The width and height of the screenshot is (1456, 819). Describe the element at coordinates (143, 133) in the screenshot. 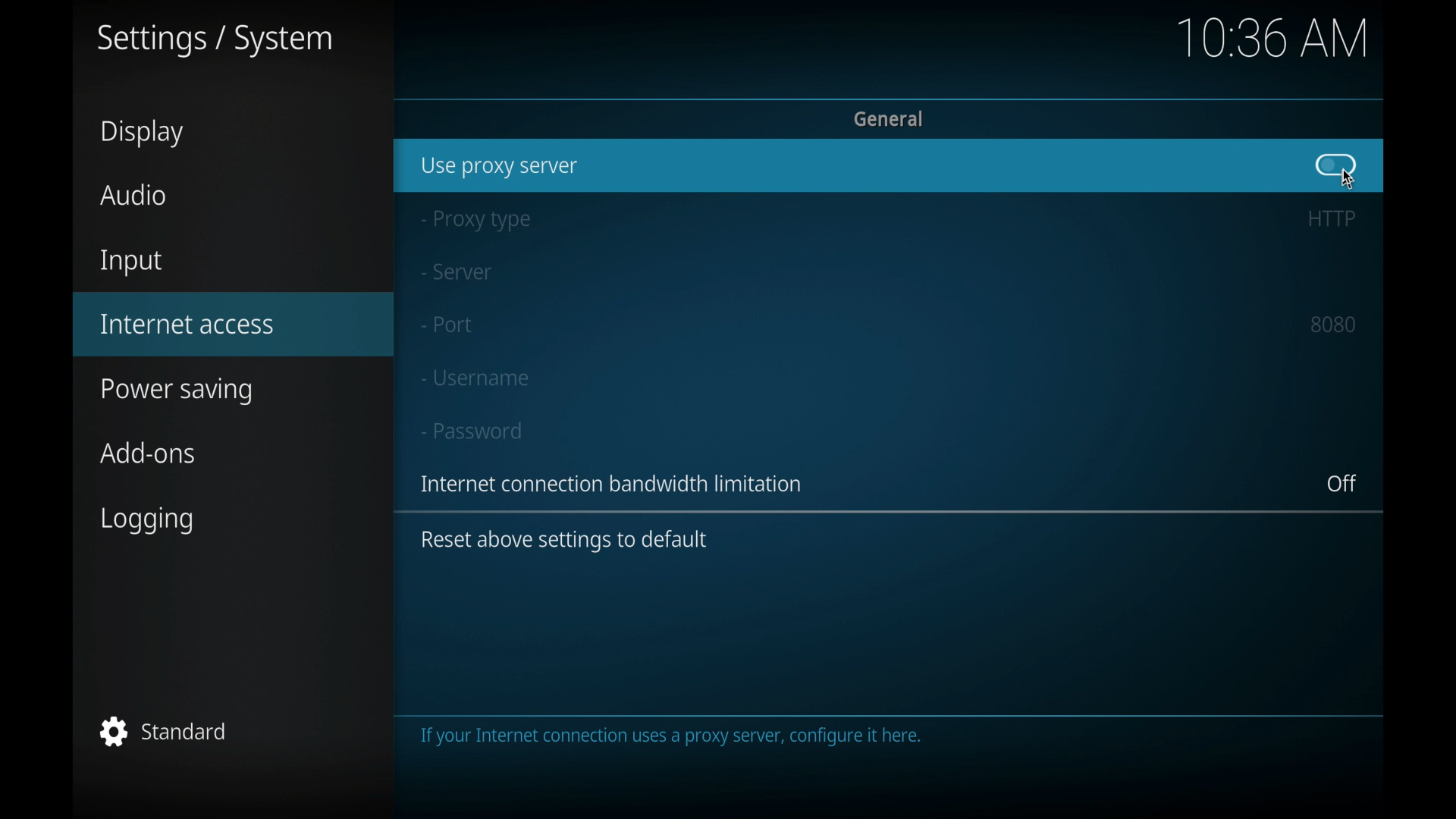

I see `display` at that location.